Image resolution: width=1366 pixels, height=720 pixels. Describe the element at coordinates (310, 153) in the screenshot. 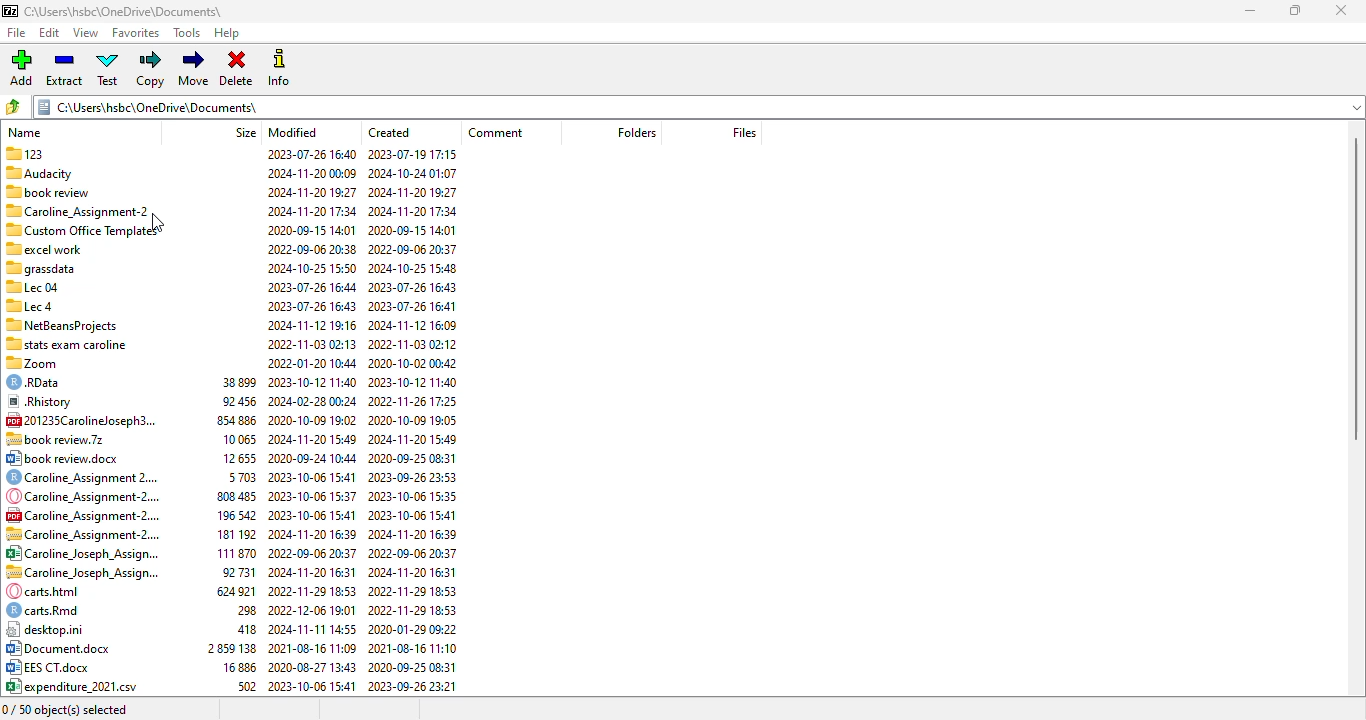

I see `2023-07-26.16..40` at that location.